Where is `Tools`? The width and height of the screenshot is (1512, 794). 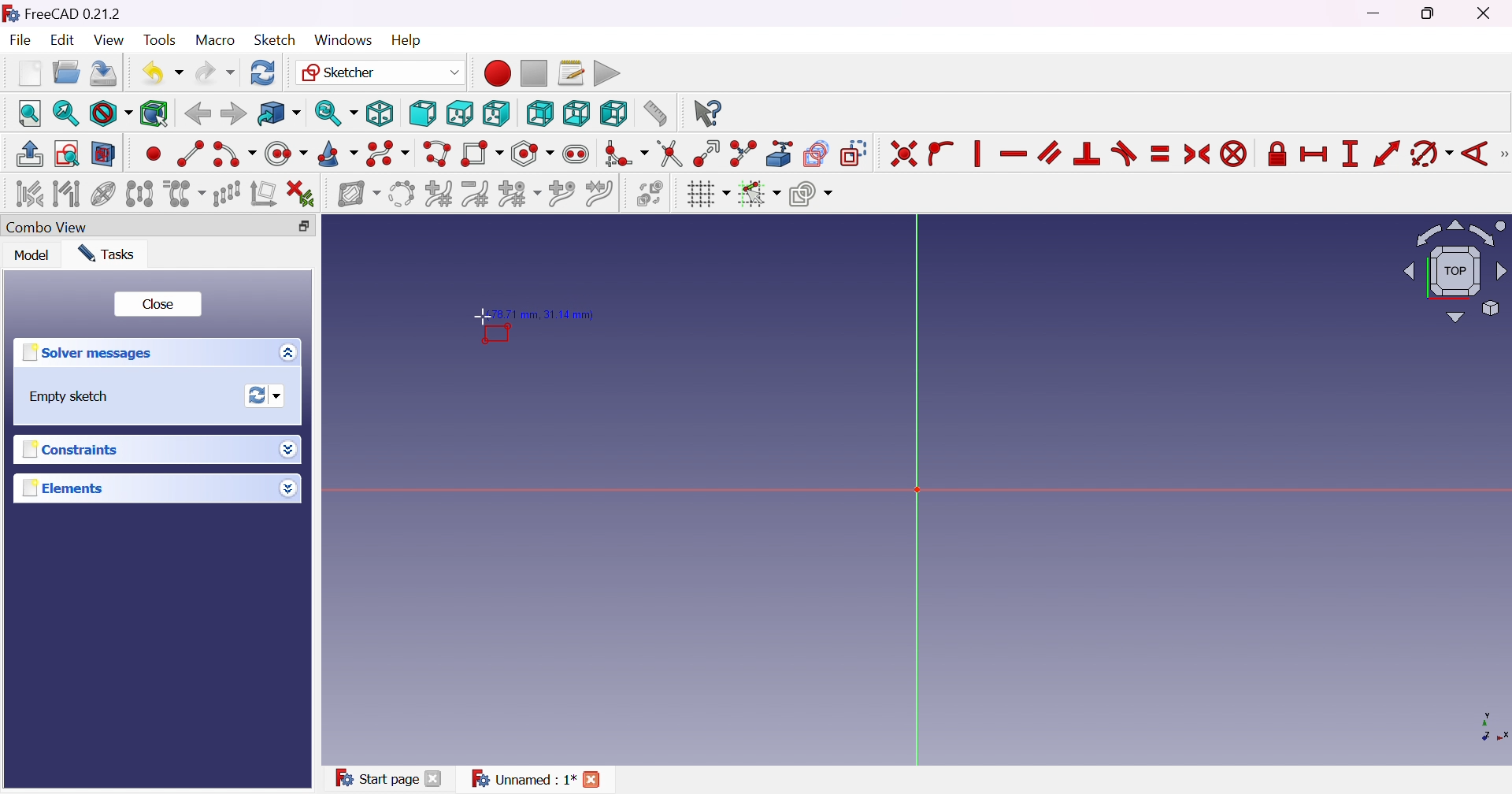
Tools is located at coordinates (158, 37).